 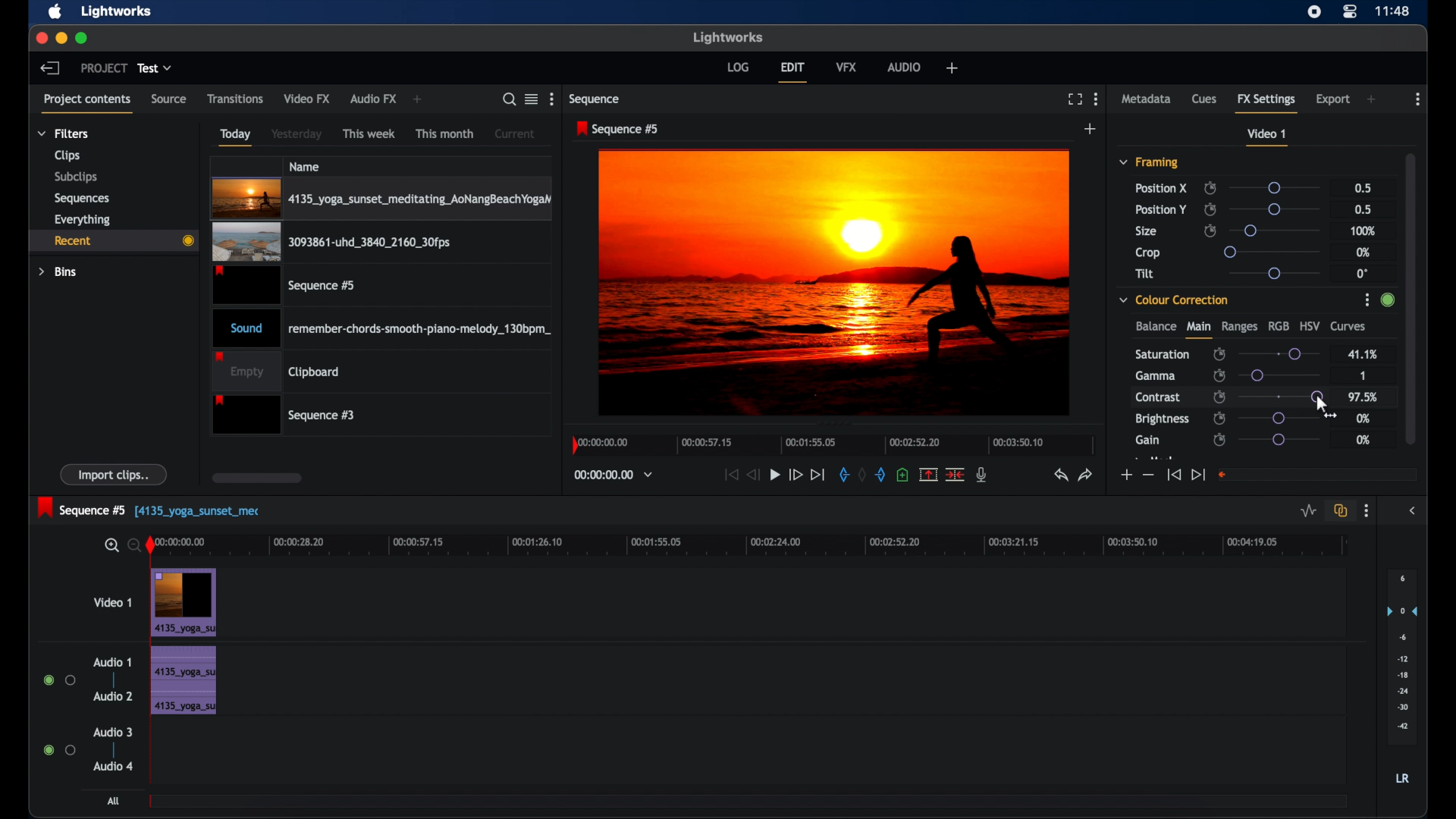 What do you see at coordinates (182, 680) in the screenshot?
I see `audio ` at bounding box center [182, 680].